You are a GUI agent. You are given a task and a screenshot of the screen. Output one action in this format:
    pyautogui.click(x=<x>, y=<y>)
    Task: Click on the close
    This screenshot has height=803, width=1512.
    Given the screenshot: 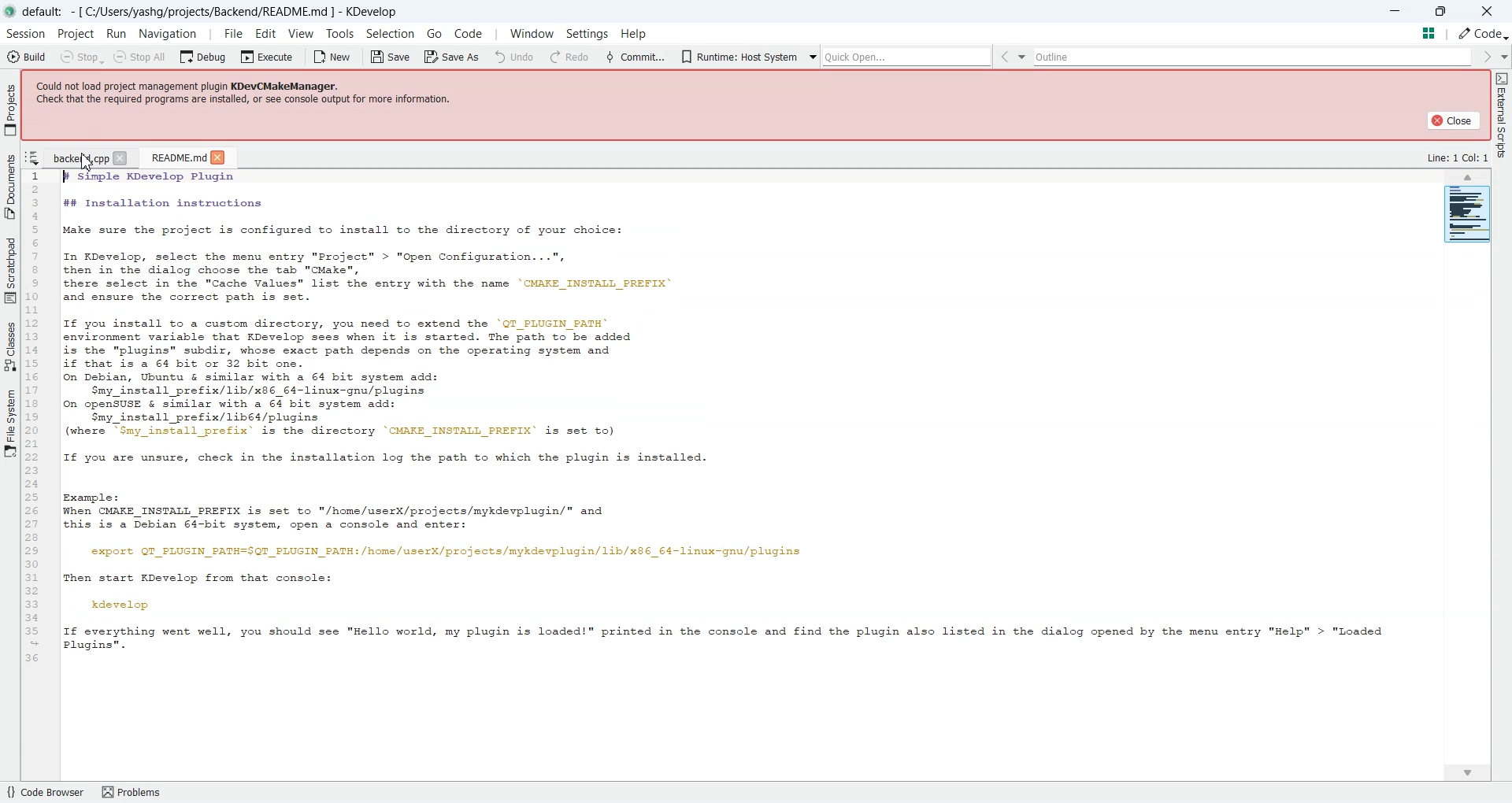 What is the action you would take?
    pyautogui.click(x=123, y=159)
    